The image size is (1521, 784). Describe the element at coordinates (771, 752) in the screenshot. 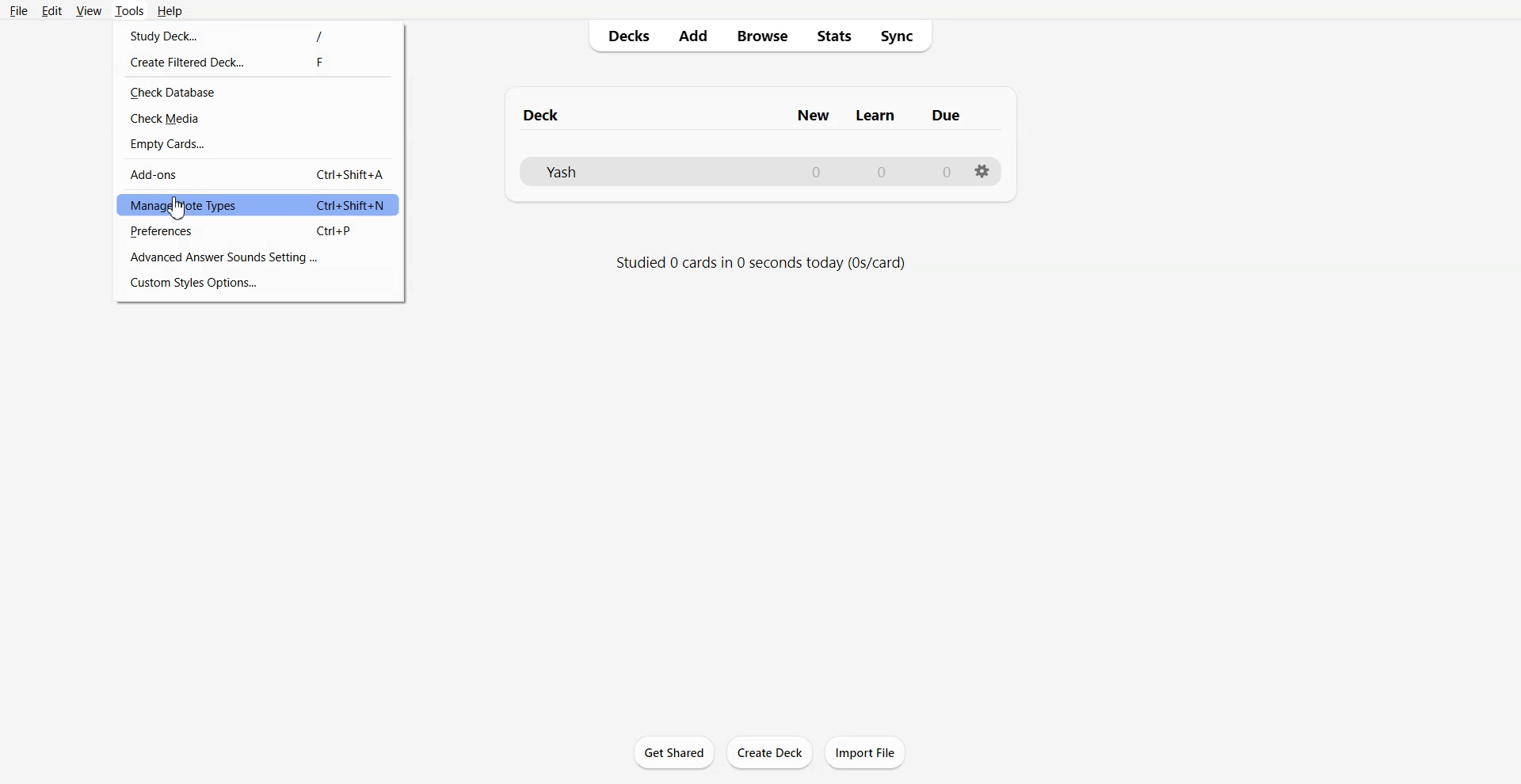

I see `Create Deck` at that location.